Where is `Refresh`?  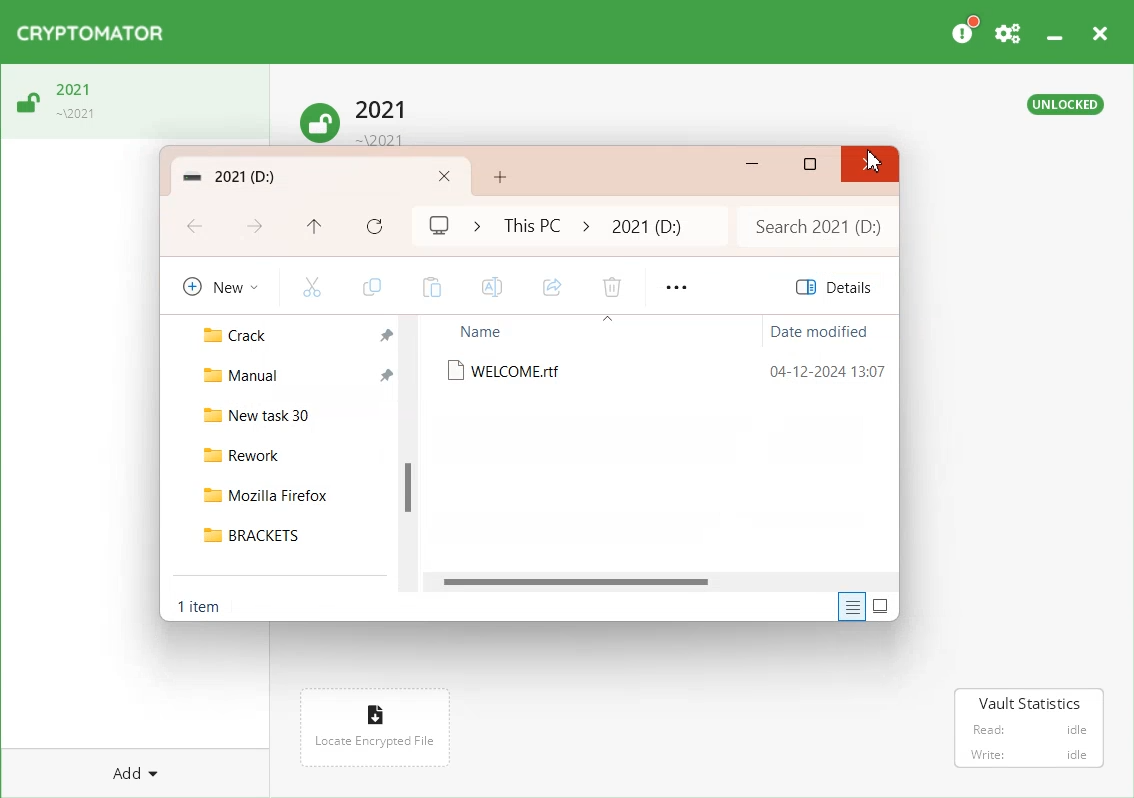
Refresh is located at coordinates (375, 226).